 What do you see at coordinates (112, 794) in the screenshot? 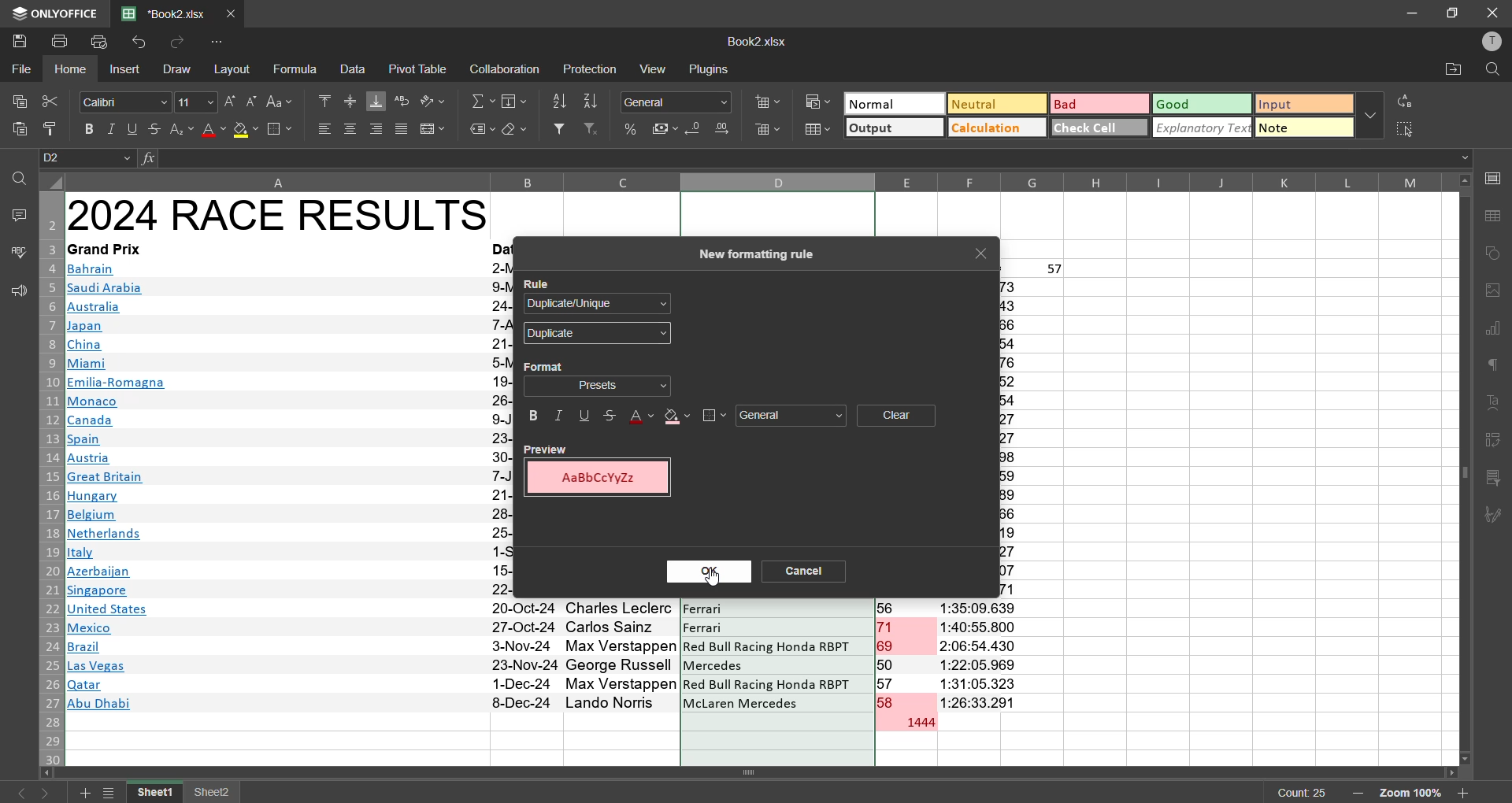
I see `sheet list` at bounding box center [112, 794].